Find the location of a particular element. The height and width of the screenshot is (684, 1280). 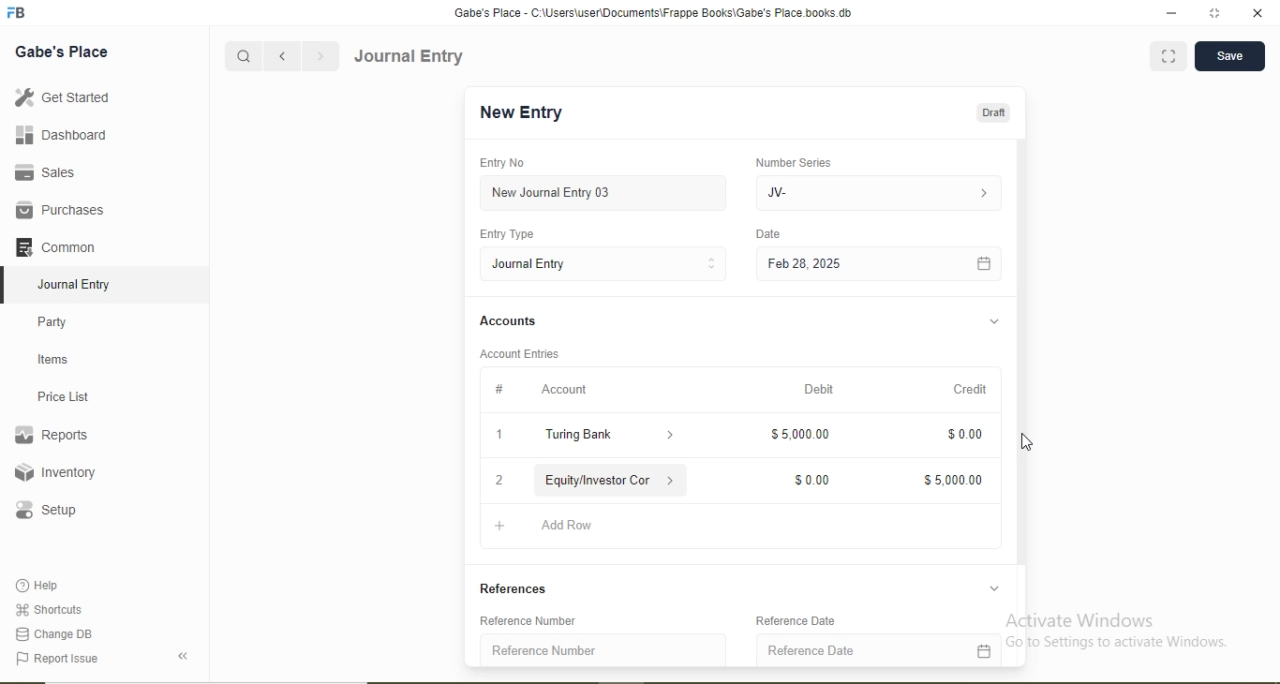

Account is located at coordinates (564, 390).